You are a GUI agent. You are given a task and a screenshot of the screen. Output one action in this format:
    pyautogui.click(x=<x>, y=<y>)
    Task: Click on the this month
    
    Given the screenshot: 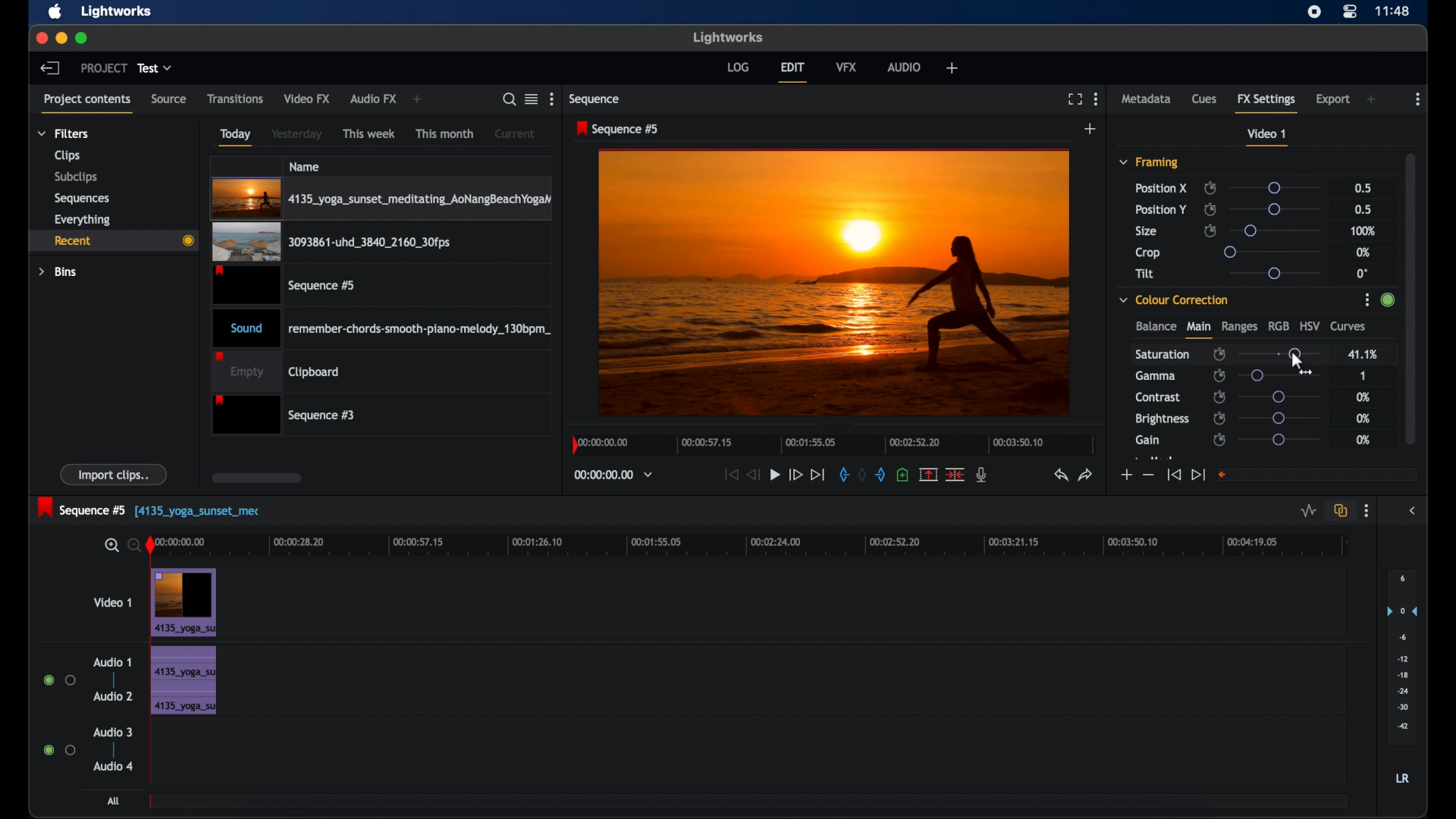 What is the action you would take?
    pyautogui.click(x=444, y=133)
    